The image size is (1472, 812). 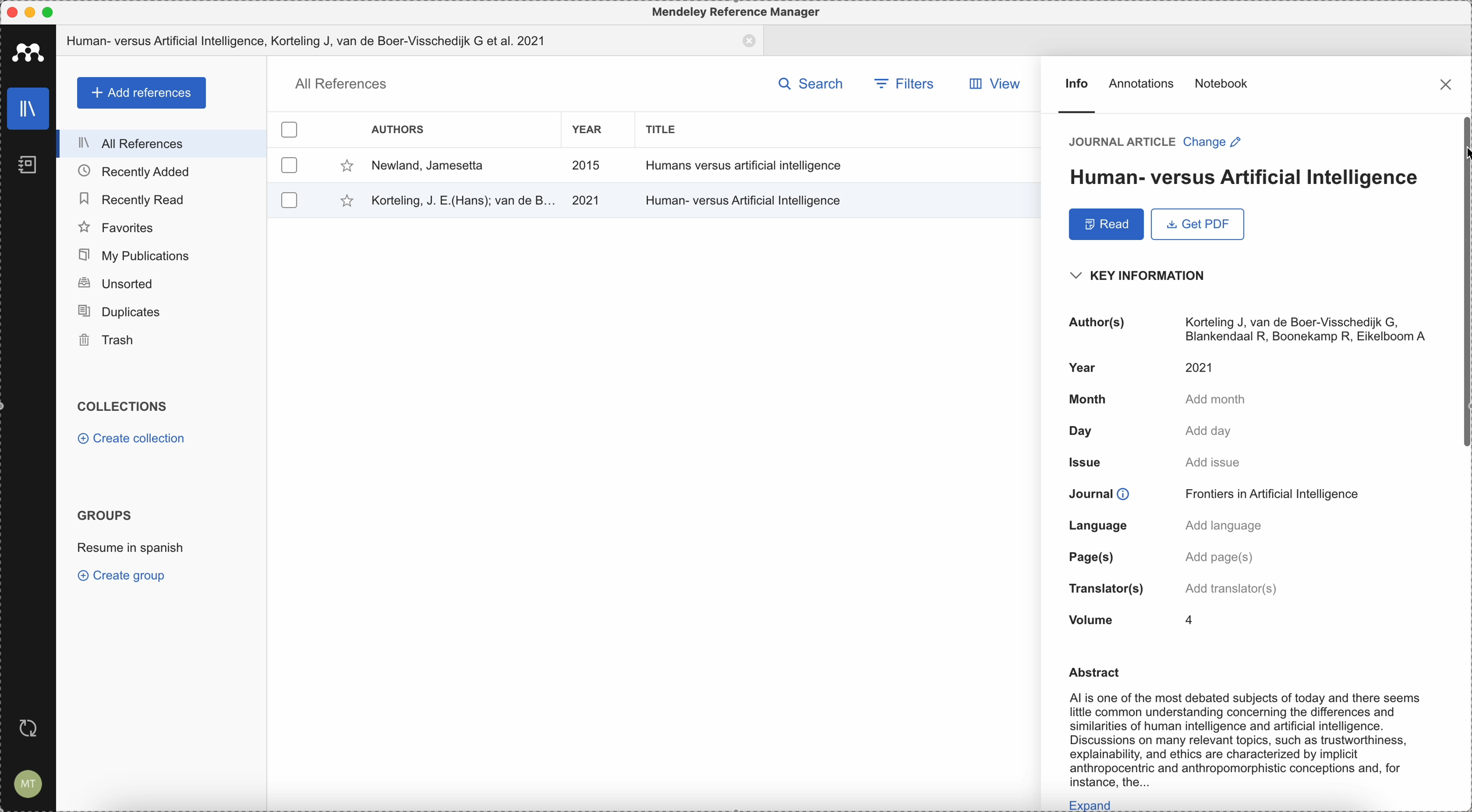 I want to click on notebook, so click(x=1223, y=82).